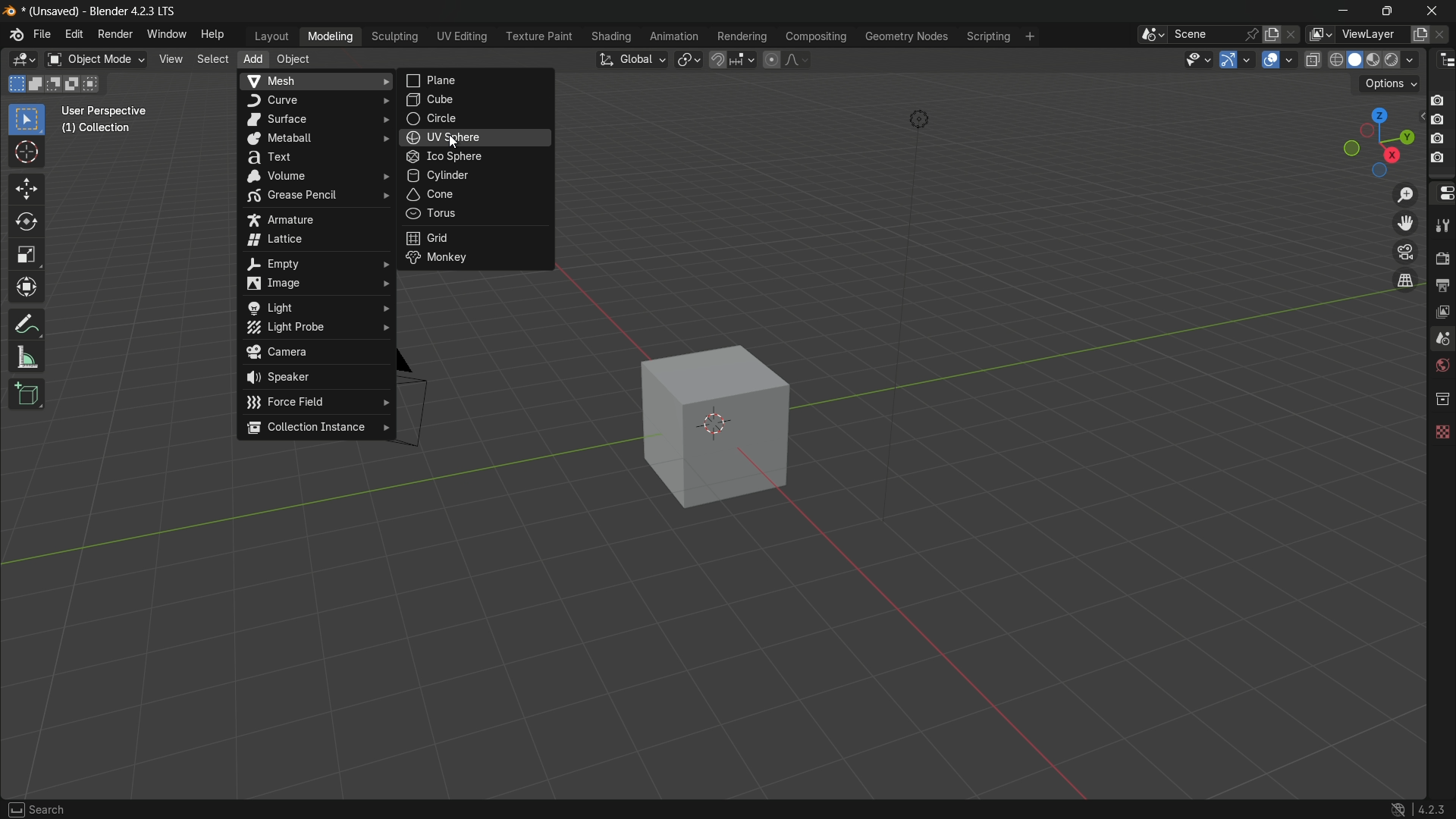 This screenshot has width=1456, height=819. What do you see at coordinates (479, 80) in the screenshot?
I see `plane` at bounding box center [479, 80].